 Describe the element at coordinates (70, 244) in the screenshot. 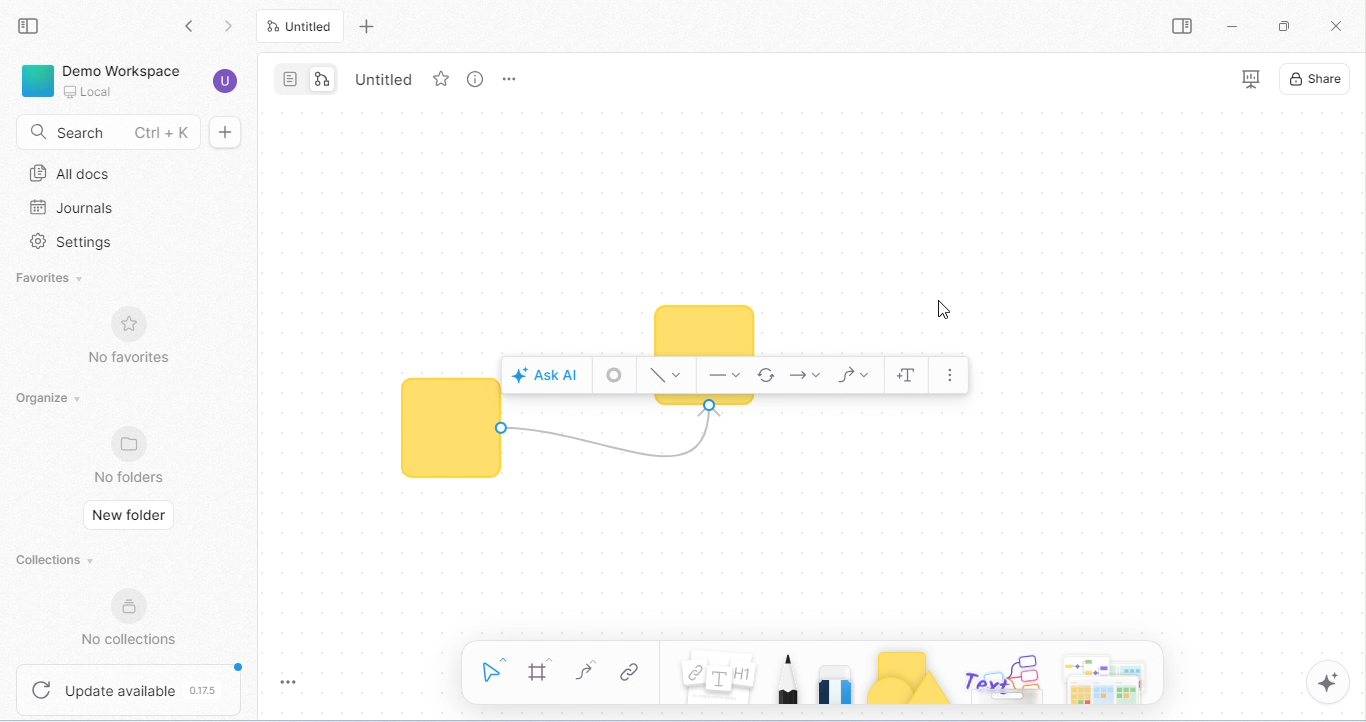

I see `settings` at that location.